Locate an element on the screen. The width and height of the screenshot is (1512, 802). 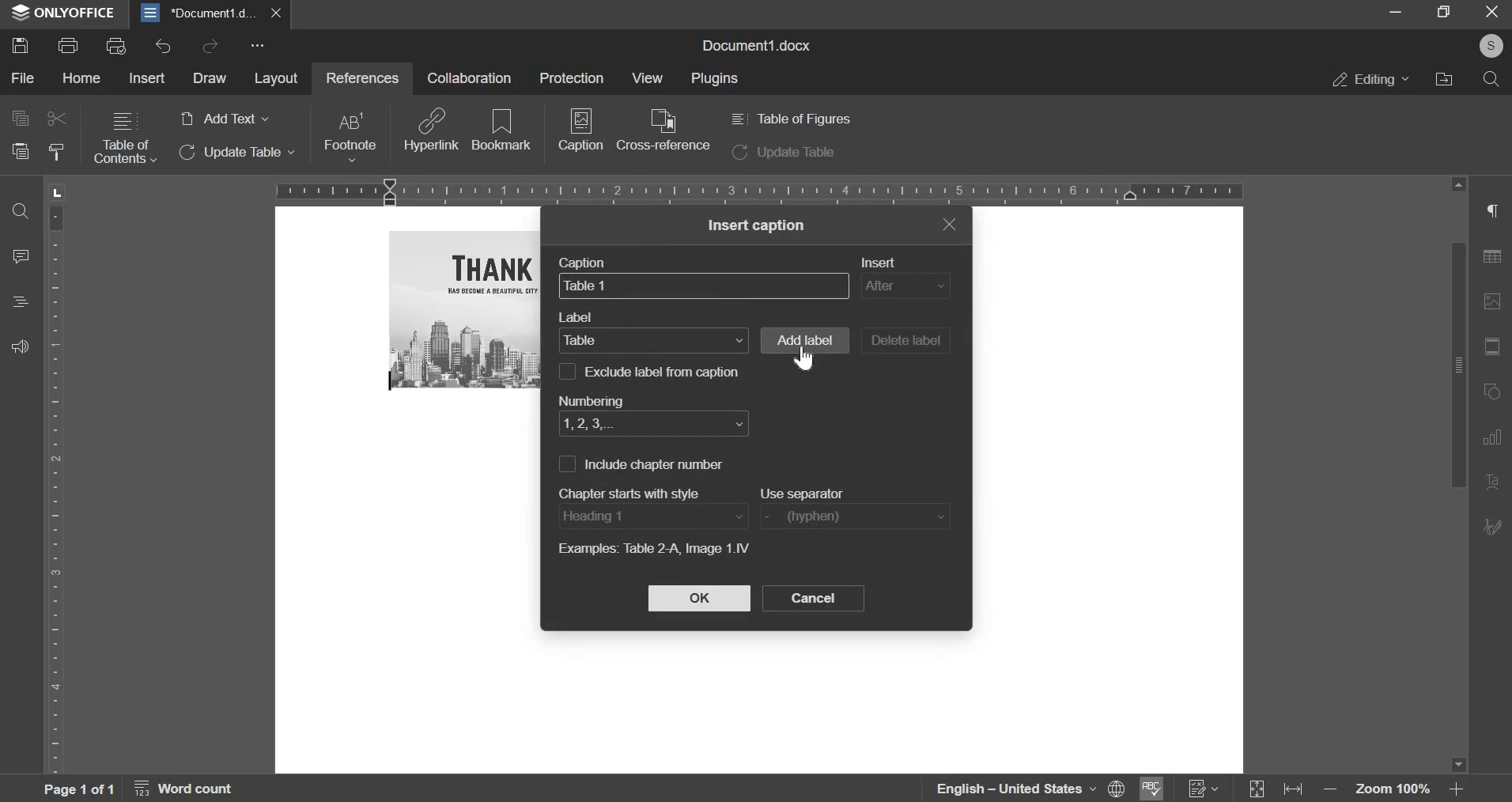
exclude label from caption is located at coordinates (666, 371).